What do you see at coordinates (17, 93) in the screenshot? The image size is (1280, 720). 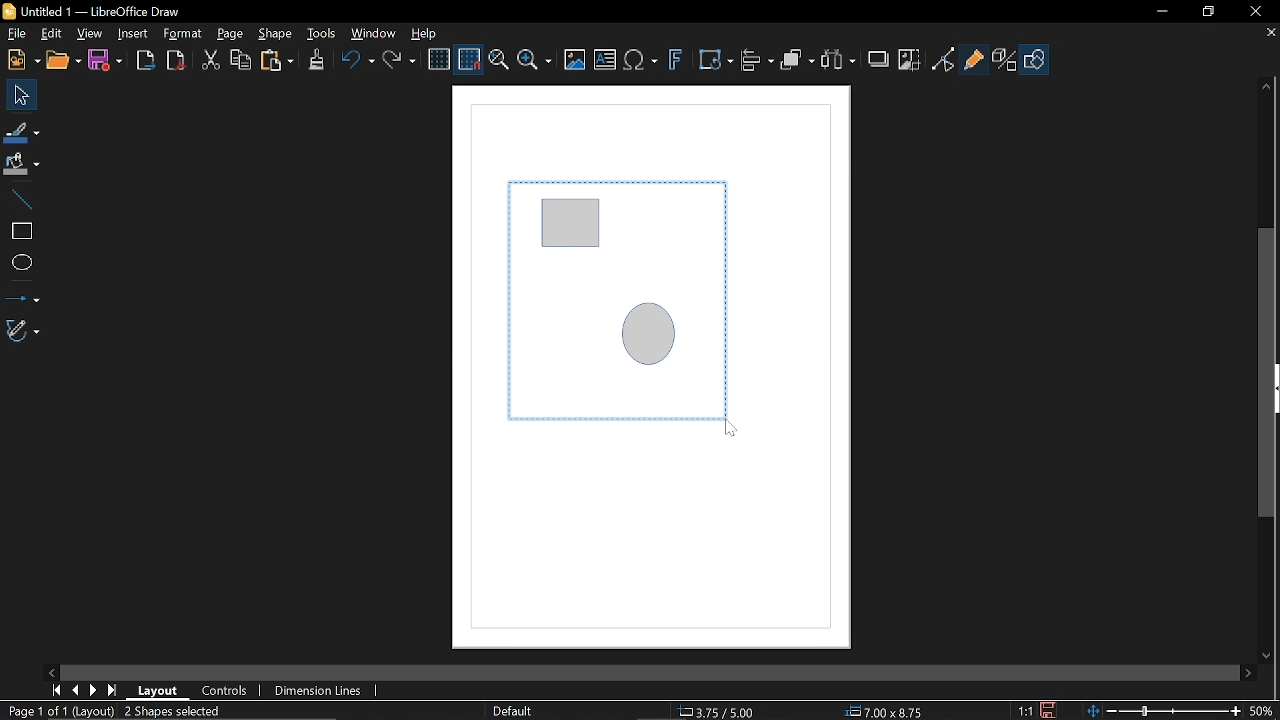 I see `Select` at bounding box center [17, 93].